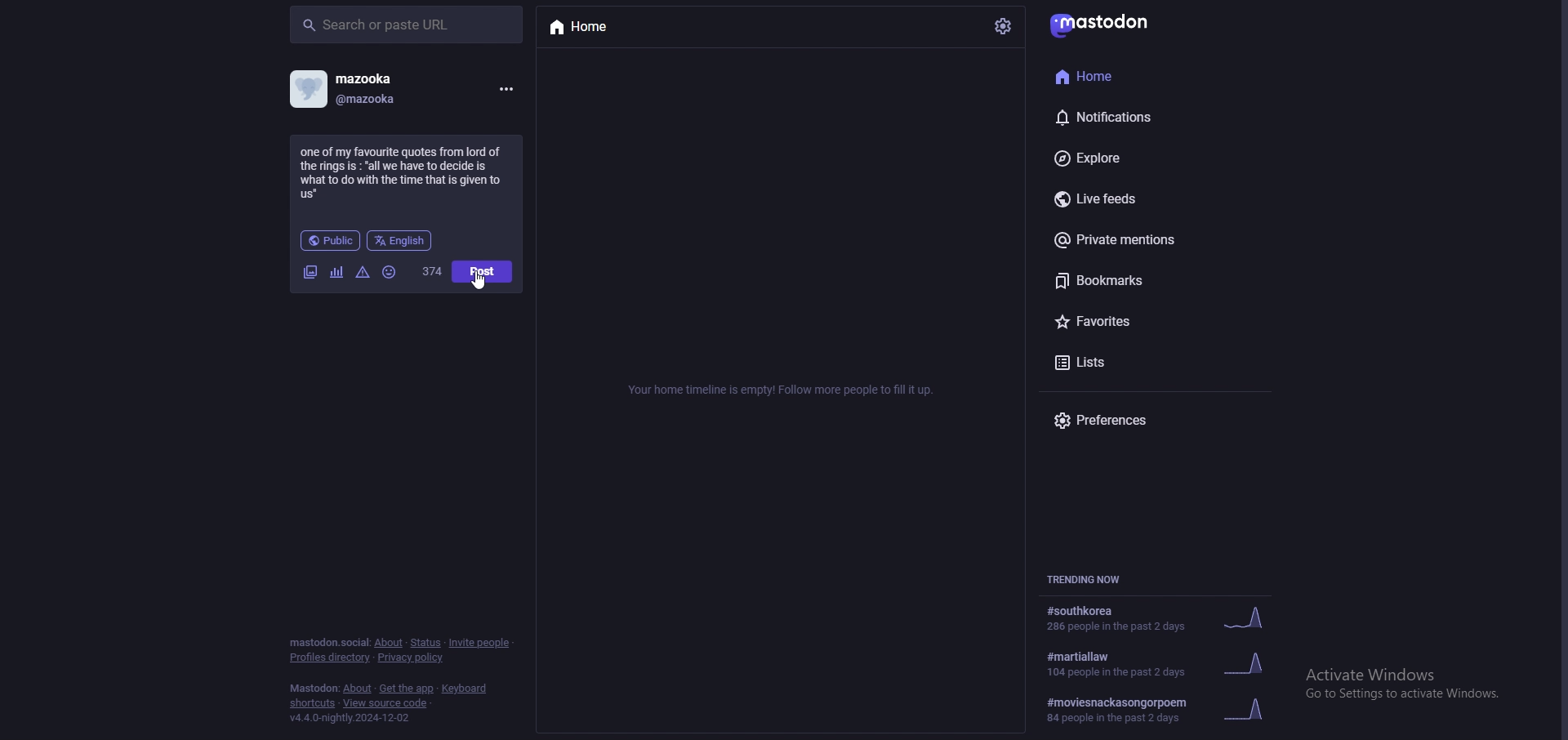 The width and height of the screenshot is (1568, 740). What do you see at coordinates (1142, 155) in the screenshot?
I see `explore` at bounding box center [1142, 155].